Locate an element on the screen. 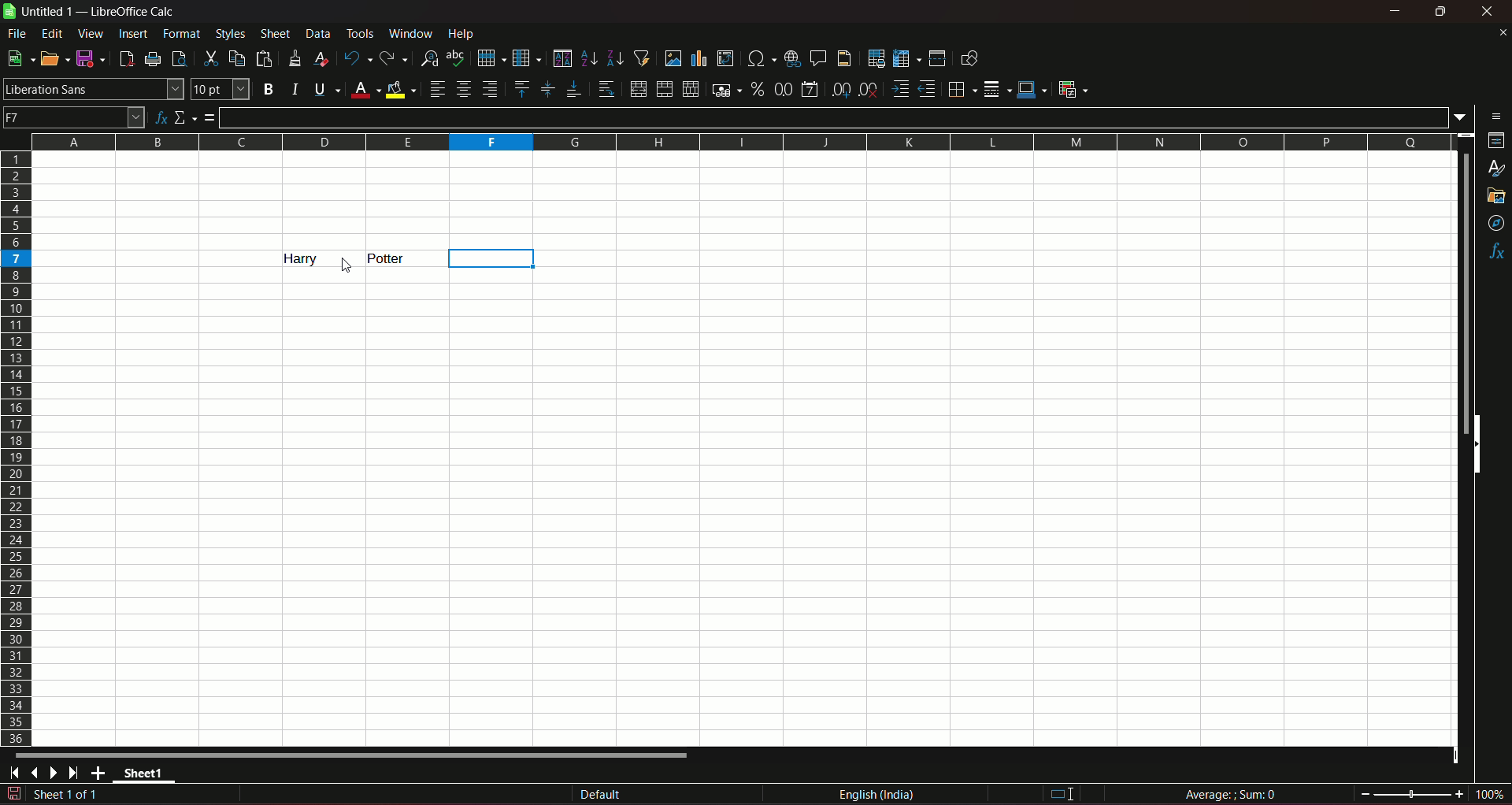 Image resolution: width=1512 pixels, height=805 pixels. format as date is located at coordinates (810, 91).